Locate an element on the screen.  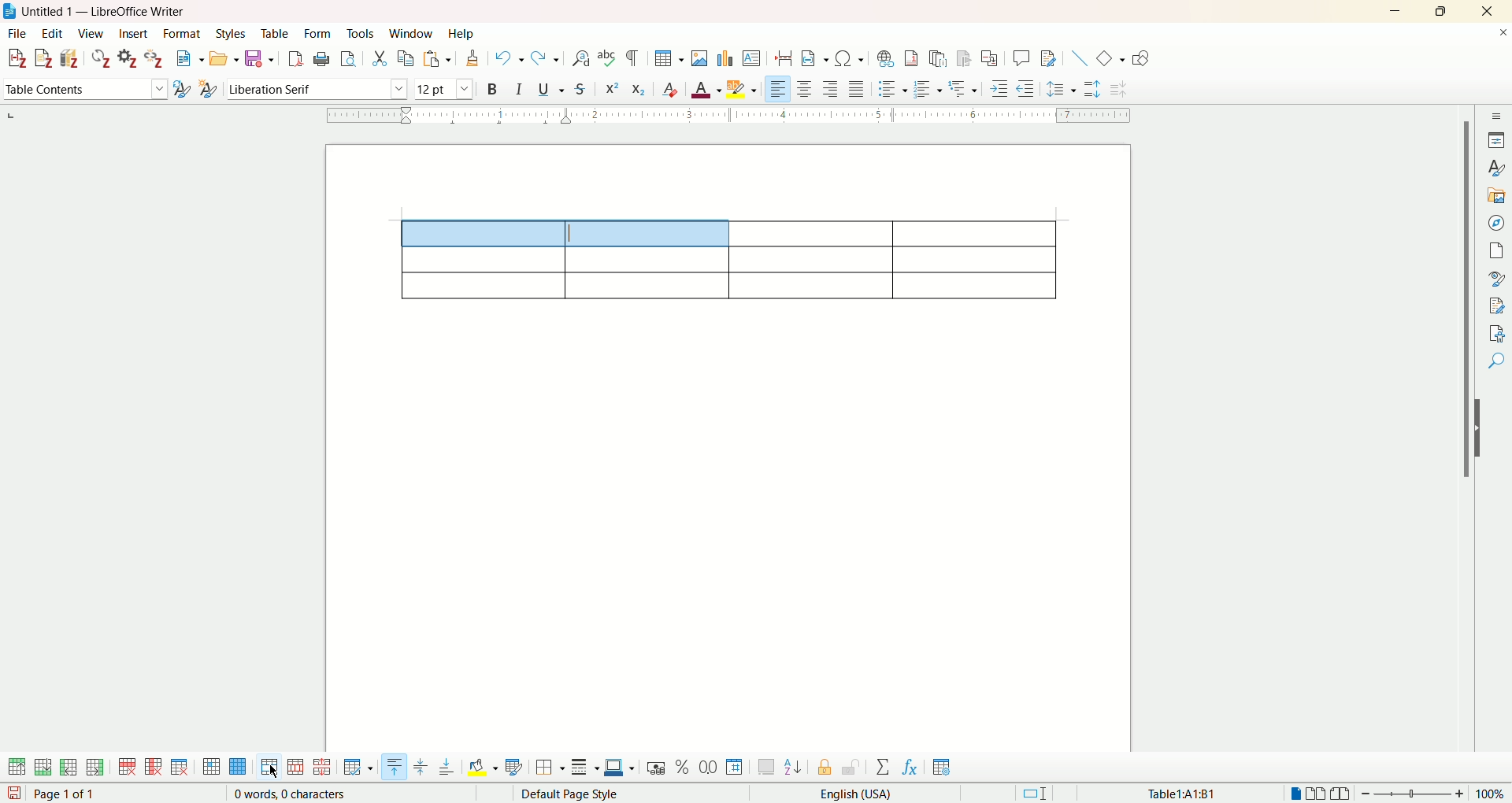
export is located at coordinates (296, 59).